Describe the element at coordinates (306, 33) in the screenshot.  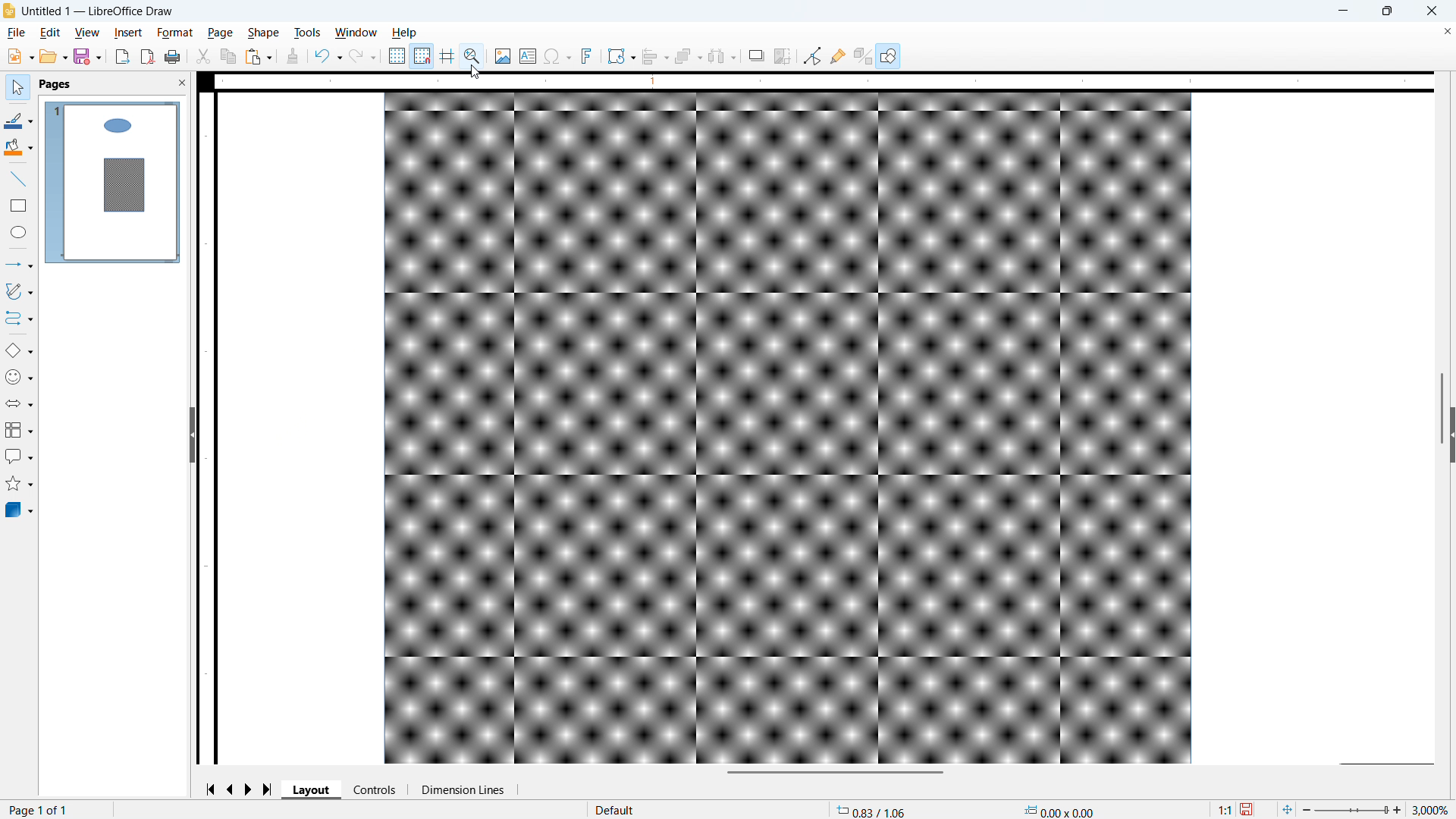
I see `Tools ` at that location.